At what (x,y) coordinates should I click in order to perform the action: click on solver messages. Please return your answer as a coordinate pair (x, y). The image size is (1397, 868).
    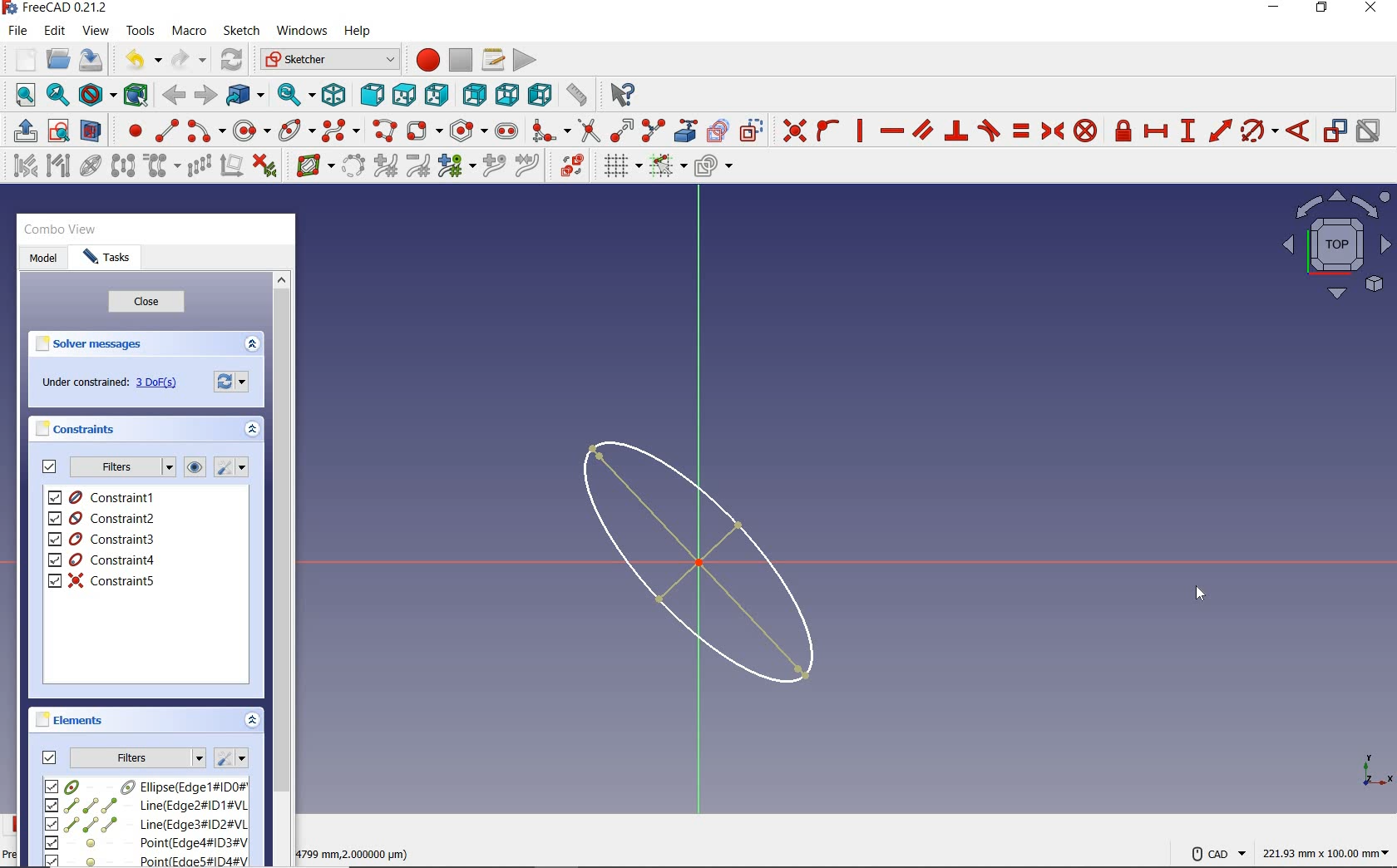
    Looking at the image, I should click on (90, 344).